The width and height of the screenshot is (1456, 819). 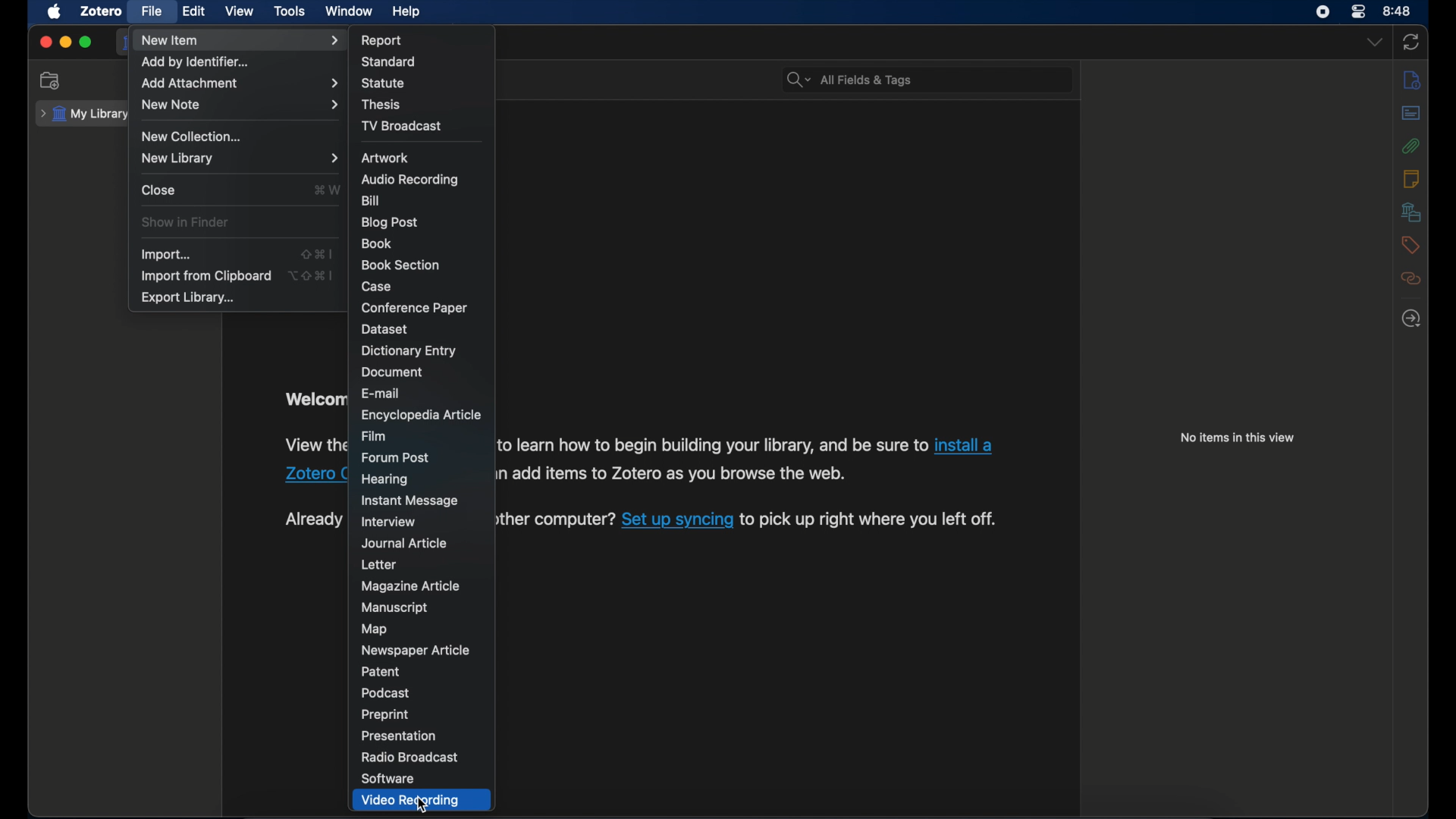 What do you see at coordinates (199, 63) in the screenshot?
I see `add by identifier` at bounding box center [199, 63].